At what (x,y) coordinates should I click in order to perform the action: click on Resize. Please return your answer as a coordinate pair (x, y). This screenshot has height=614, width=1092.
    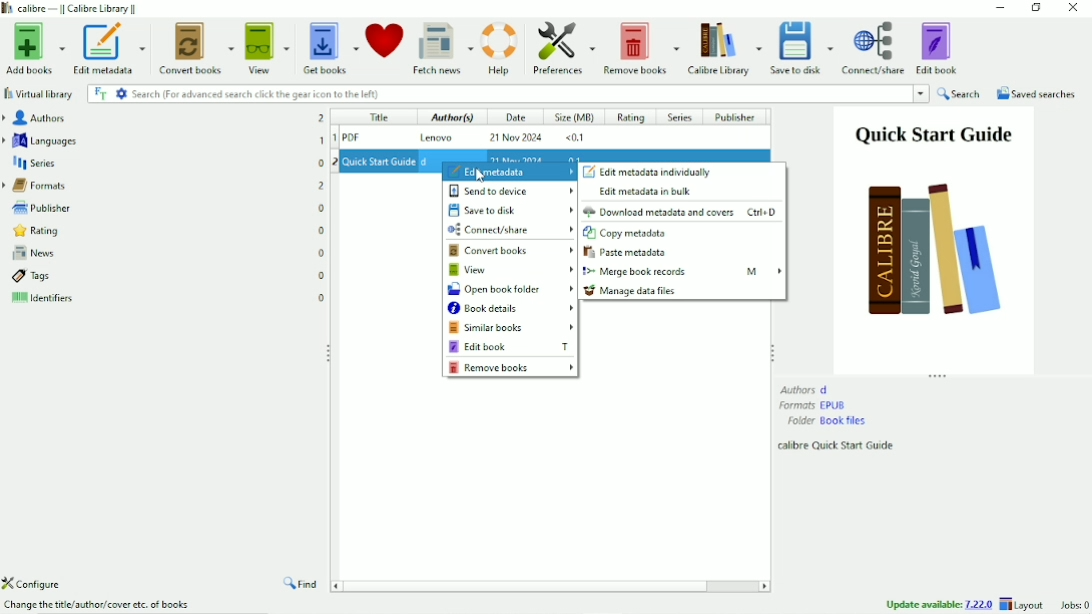
    Looking at the image, I should click on (772, 351).